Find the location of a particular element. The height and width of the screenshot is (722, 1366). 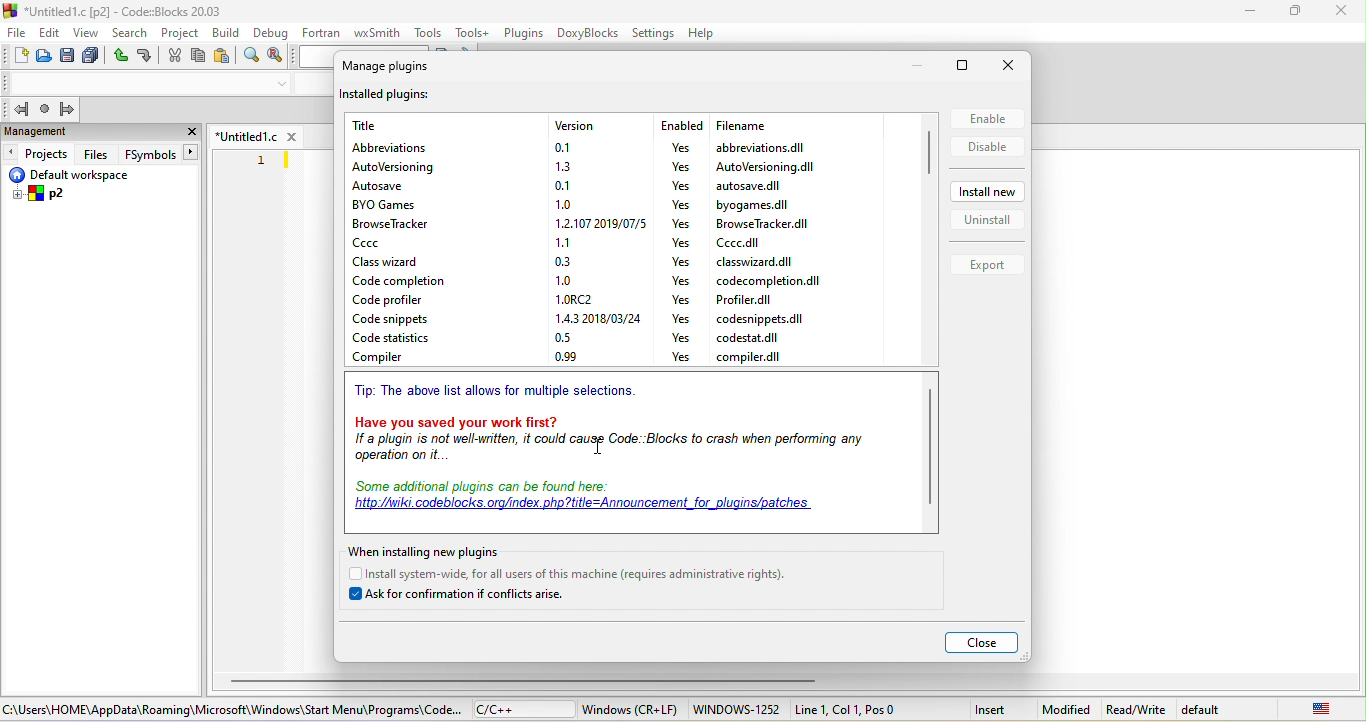

fsymbols is located at coordinates (148, 154).